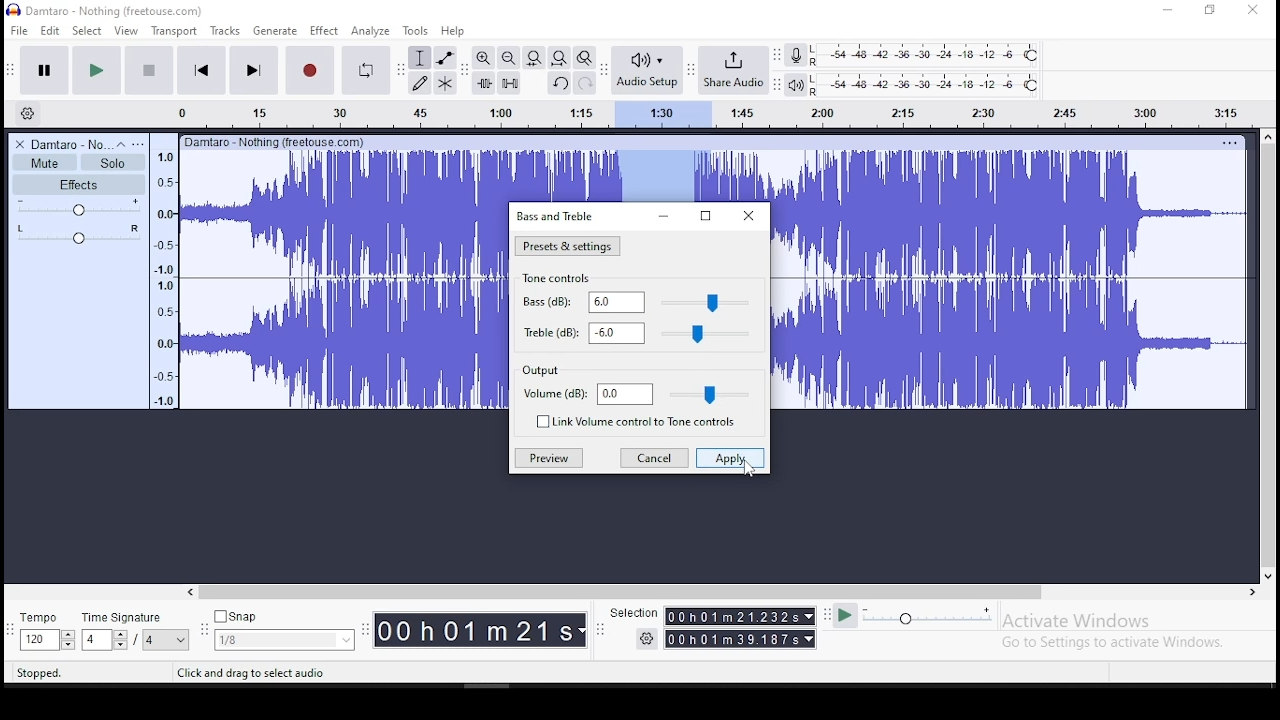  Describe the element at coordinates (227, 31) in the screenshot. I see `tracks` at that location.